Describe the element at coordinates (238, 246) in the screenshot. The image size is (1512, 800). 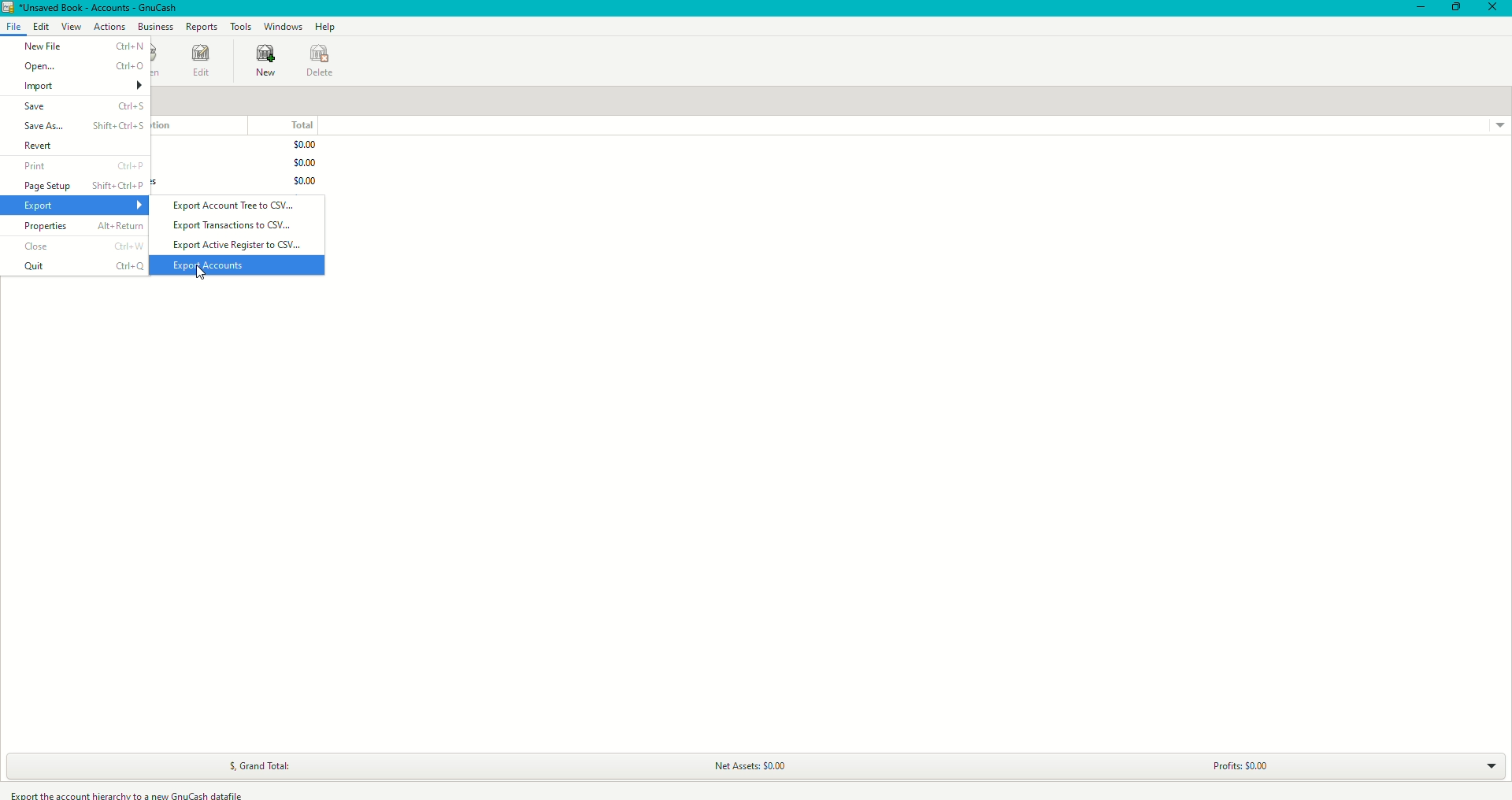
I see `Export Active Register` at that location.